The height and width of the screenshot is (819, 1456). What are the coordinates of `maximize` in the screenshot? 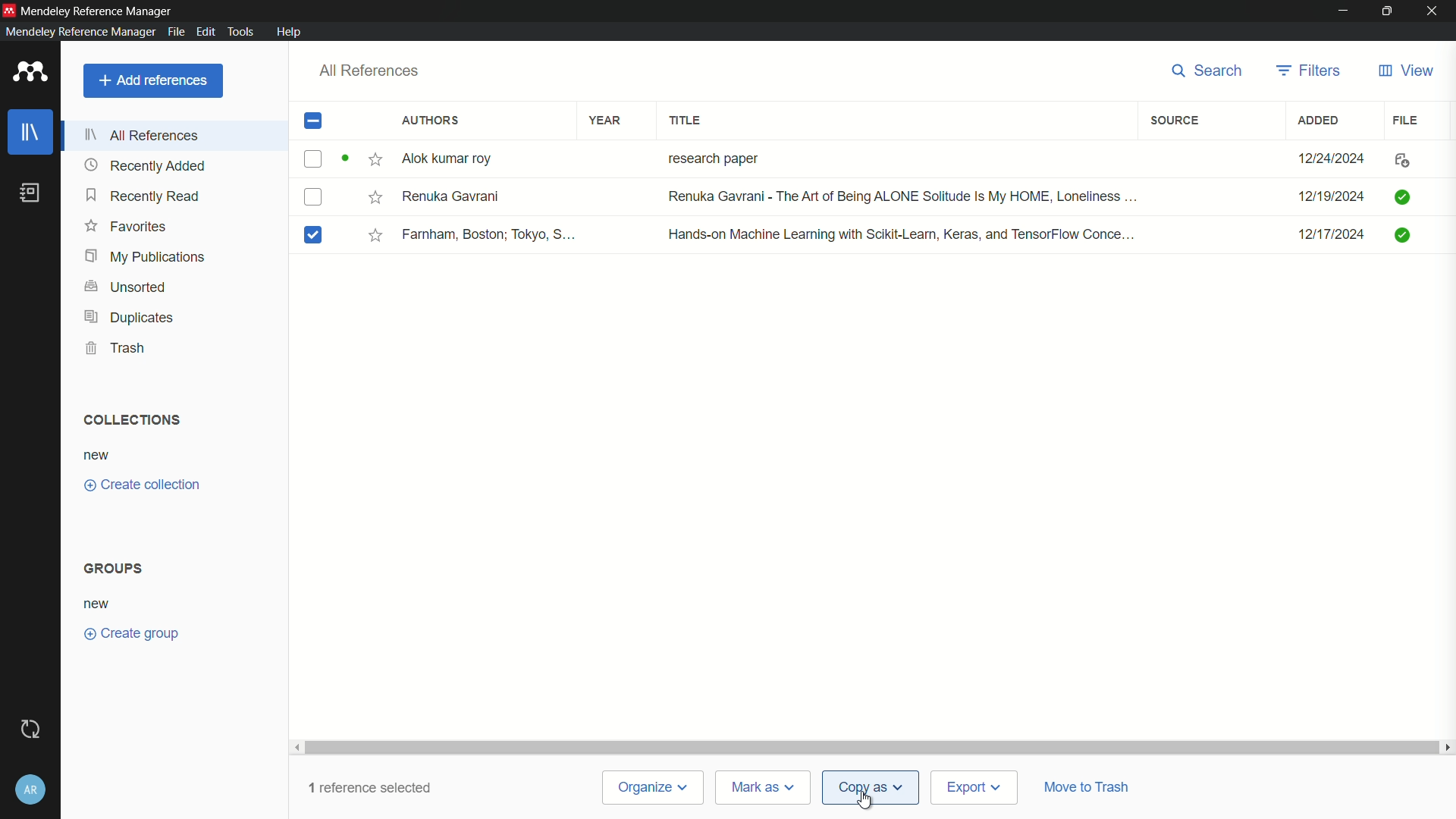 It's located at (1384, 11).